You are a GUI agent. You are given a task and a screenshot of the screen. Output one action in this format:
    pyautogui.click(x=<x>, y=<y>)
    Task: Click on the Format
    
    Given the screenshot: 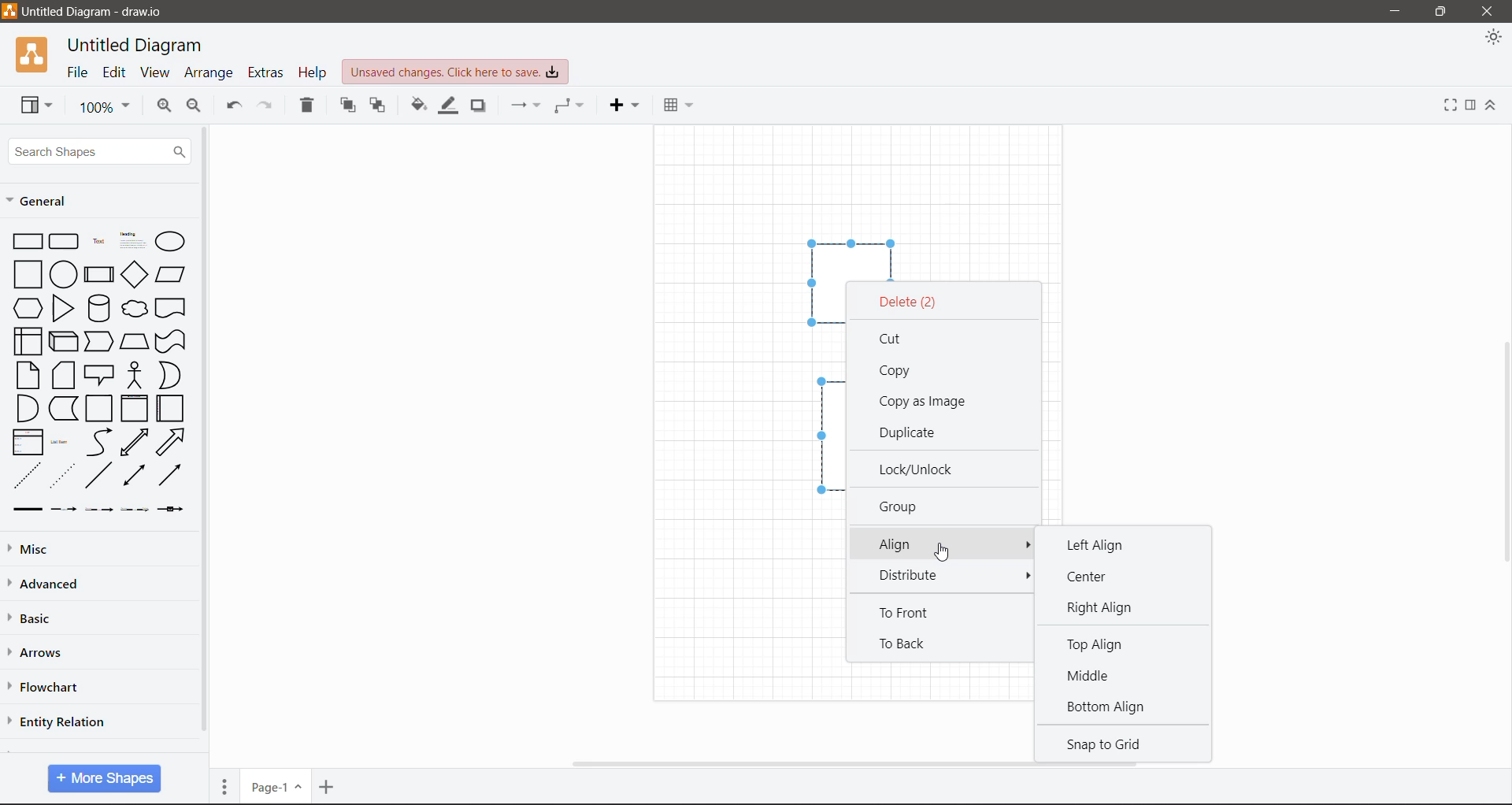 What is the action you would take?
    pyautogui.click(x=1471, y=106)
    